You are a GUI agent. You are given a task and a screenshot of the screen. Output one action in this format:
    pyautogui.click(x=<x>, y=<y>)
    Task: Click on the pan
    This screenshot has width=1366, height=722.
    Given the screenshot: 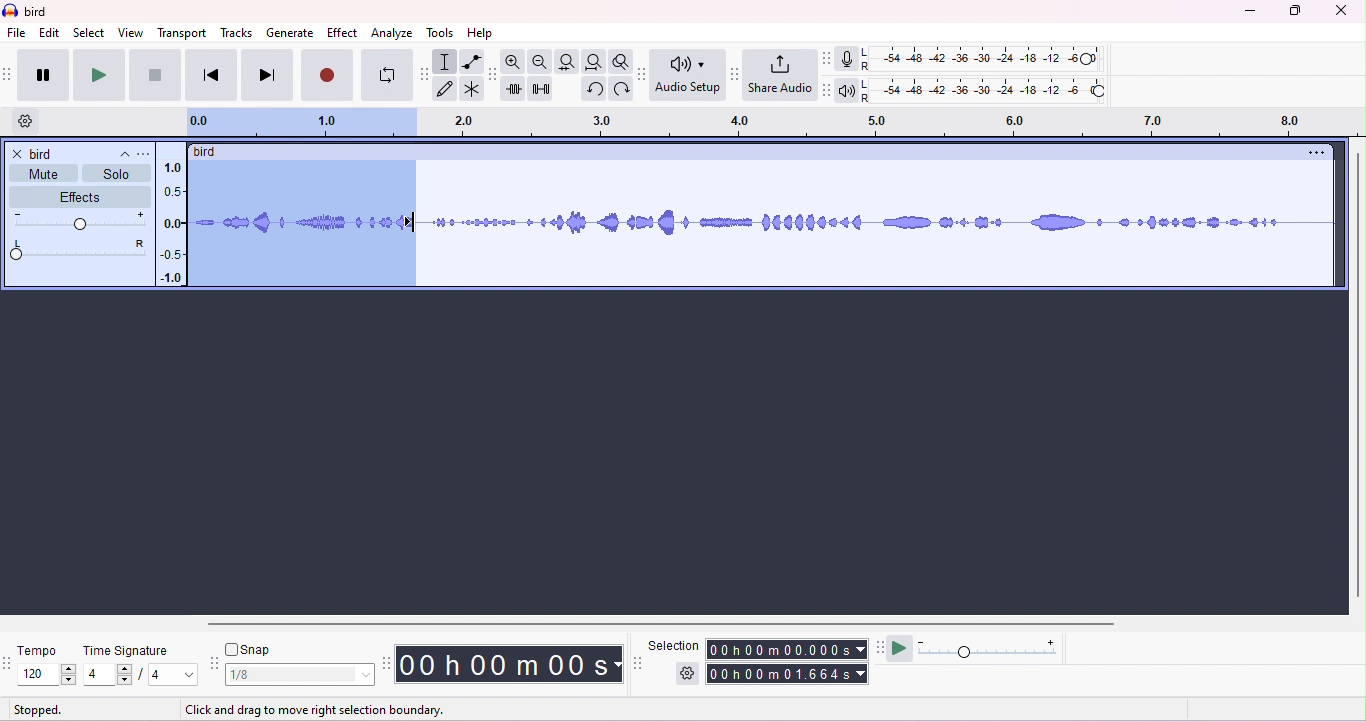 What is the action you would take?
    pyautogui.click(x=79, y=250)
    